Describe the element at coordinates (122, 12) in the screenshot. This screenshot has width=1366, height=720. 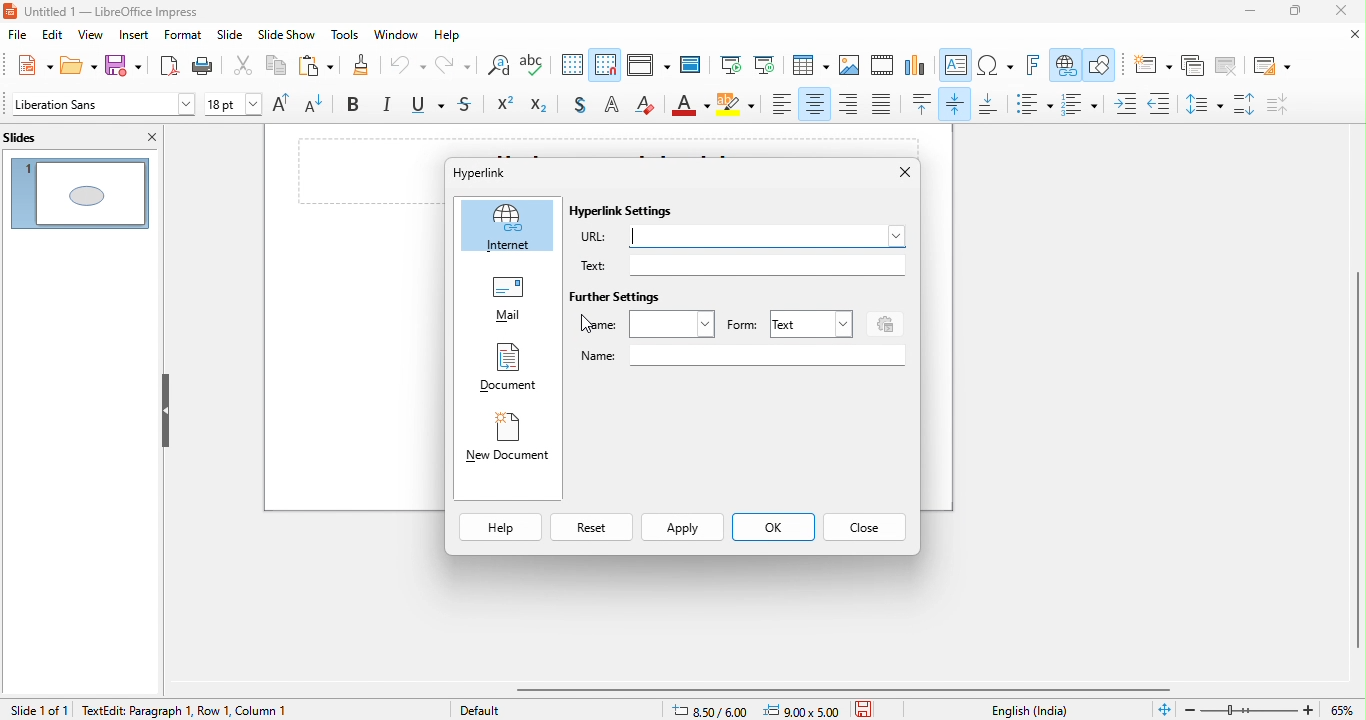
I see `untitled 1- libreoffice impress` at that location.